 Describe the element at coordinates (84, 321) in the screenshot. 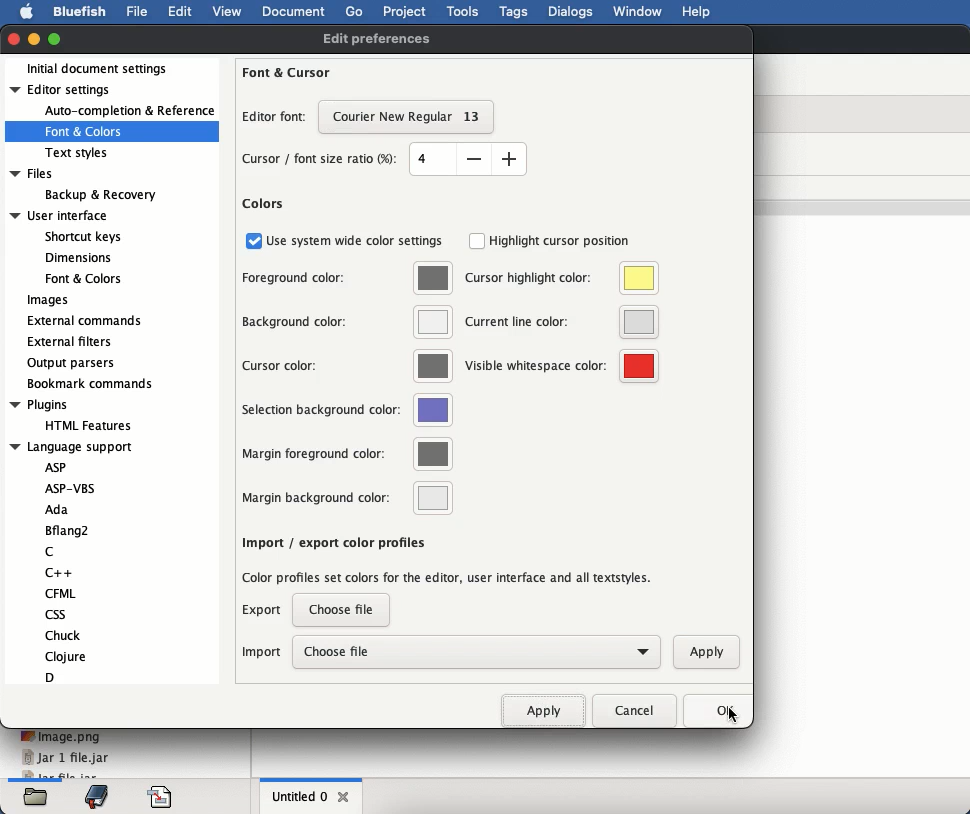

I see `external commands` at that location.